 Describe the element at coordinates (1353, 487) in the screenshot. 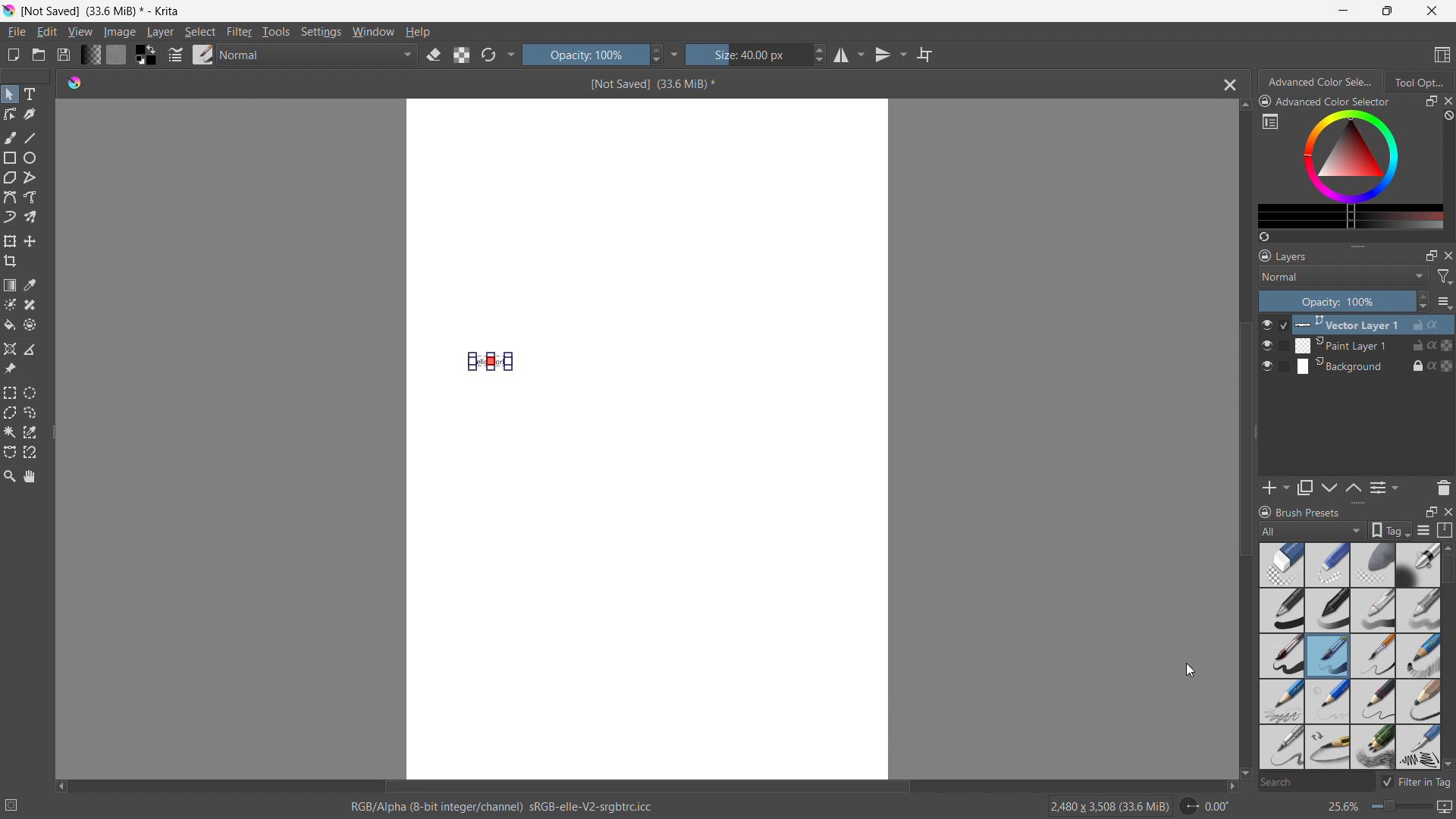

I see `move layer down` at that location.